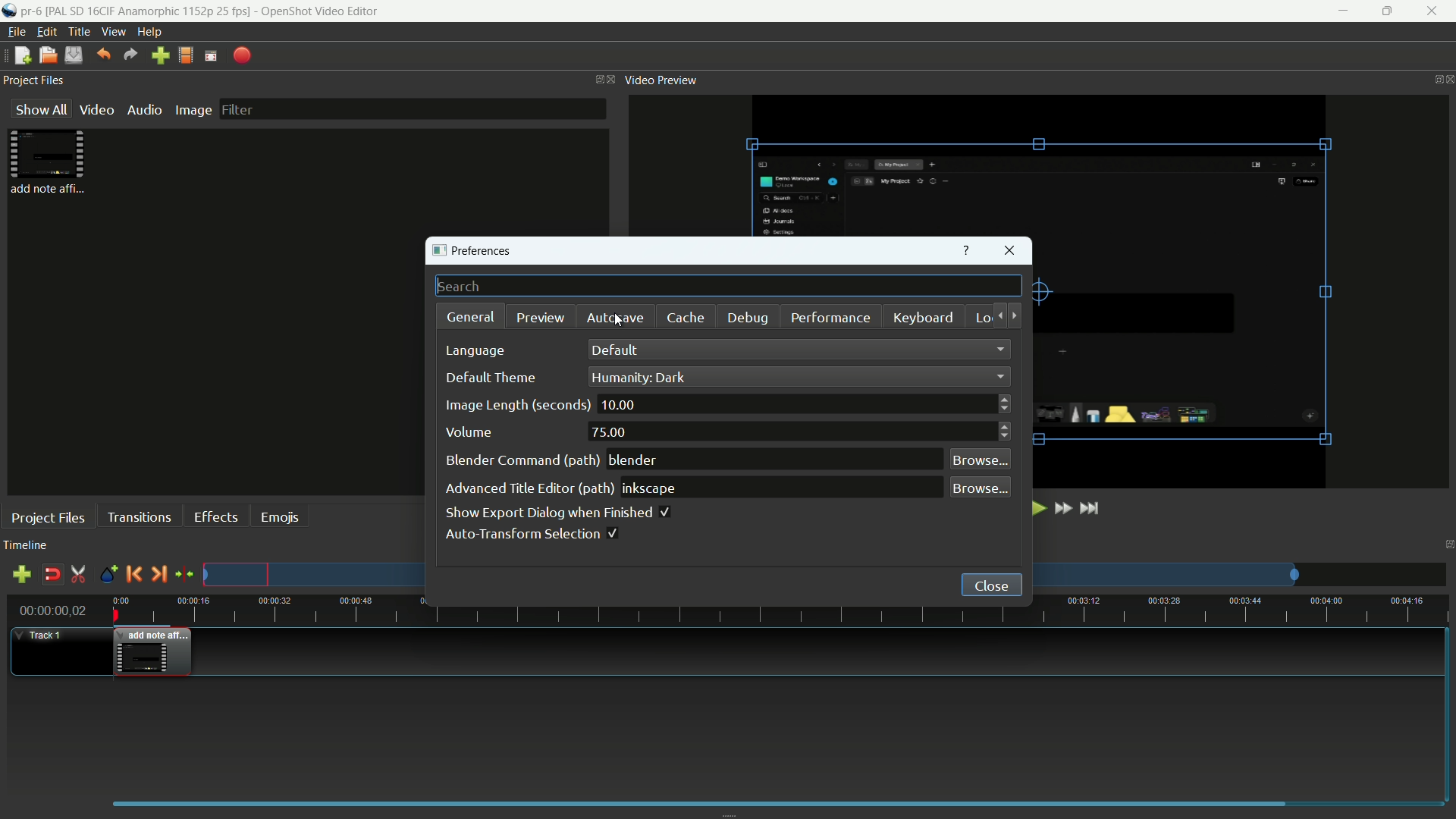  What do you see at coordinates (979, 460) in the screenshot?
I see `browse` at bounding box center [979, 460].